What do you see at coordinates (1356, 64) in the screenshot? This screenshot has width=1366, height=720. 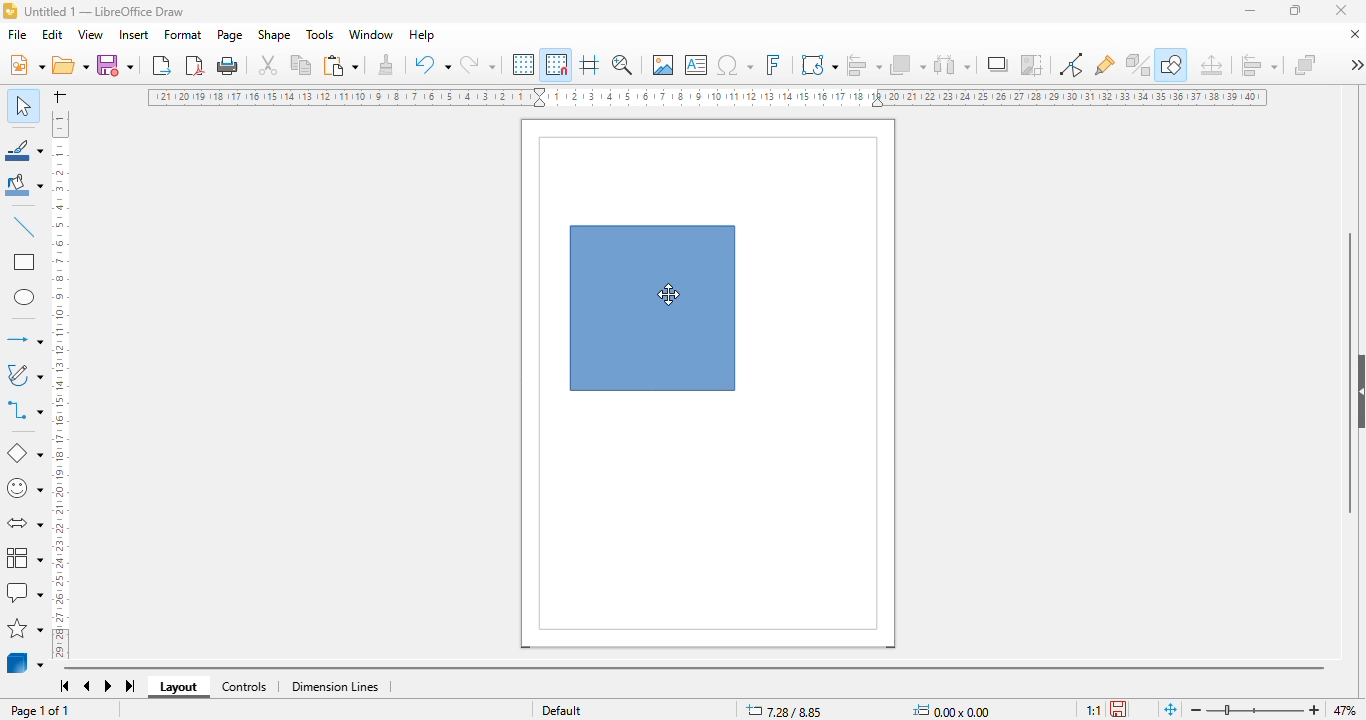 I see `more options` at bounding box center [1356, 64].